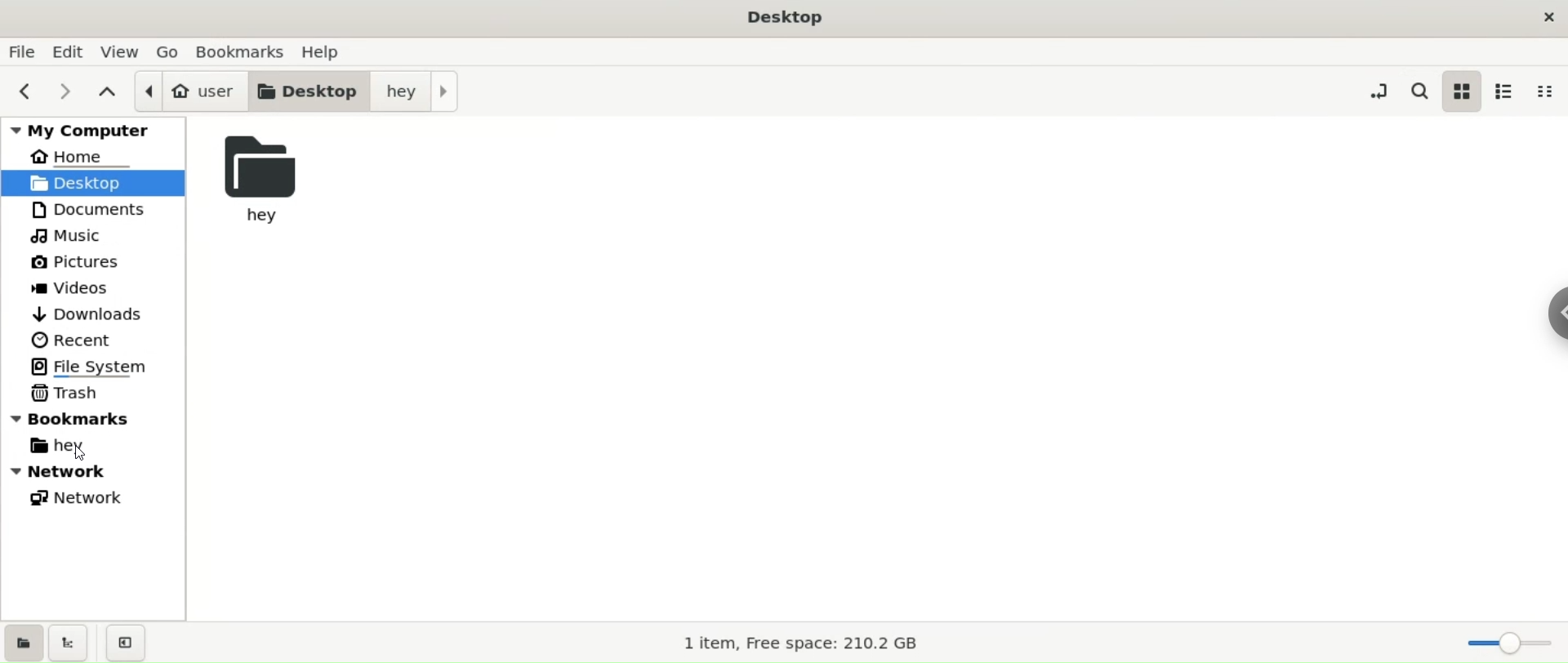  Describe the element at coordinates (88, 316) in the screenshot. I see `downloads` at that location.